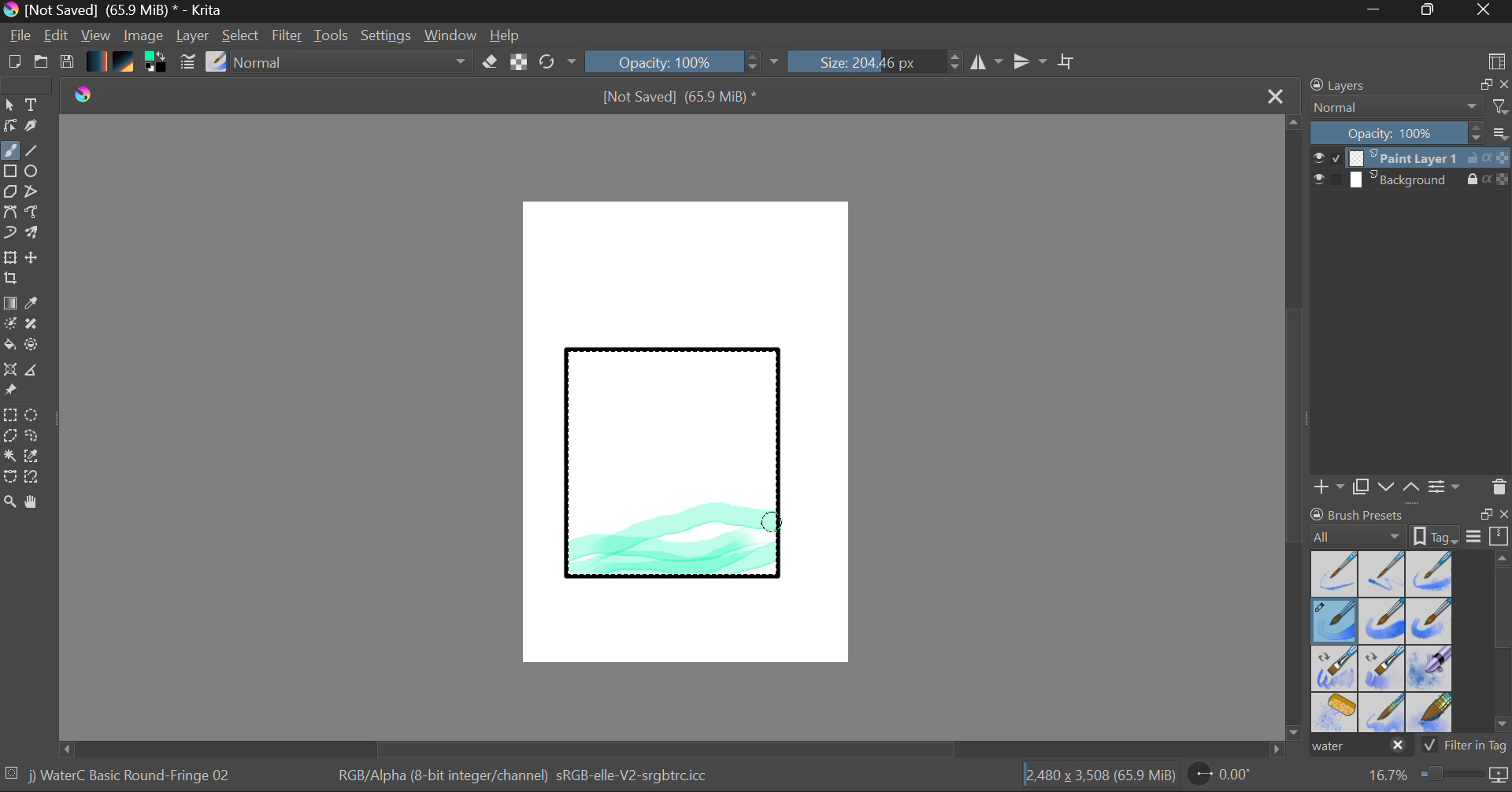 The width and height of the screenshot is (1512, 792). I want to click on Polygon, so click(9, 192).